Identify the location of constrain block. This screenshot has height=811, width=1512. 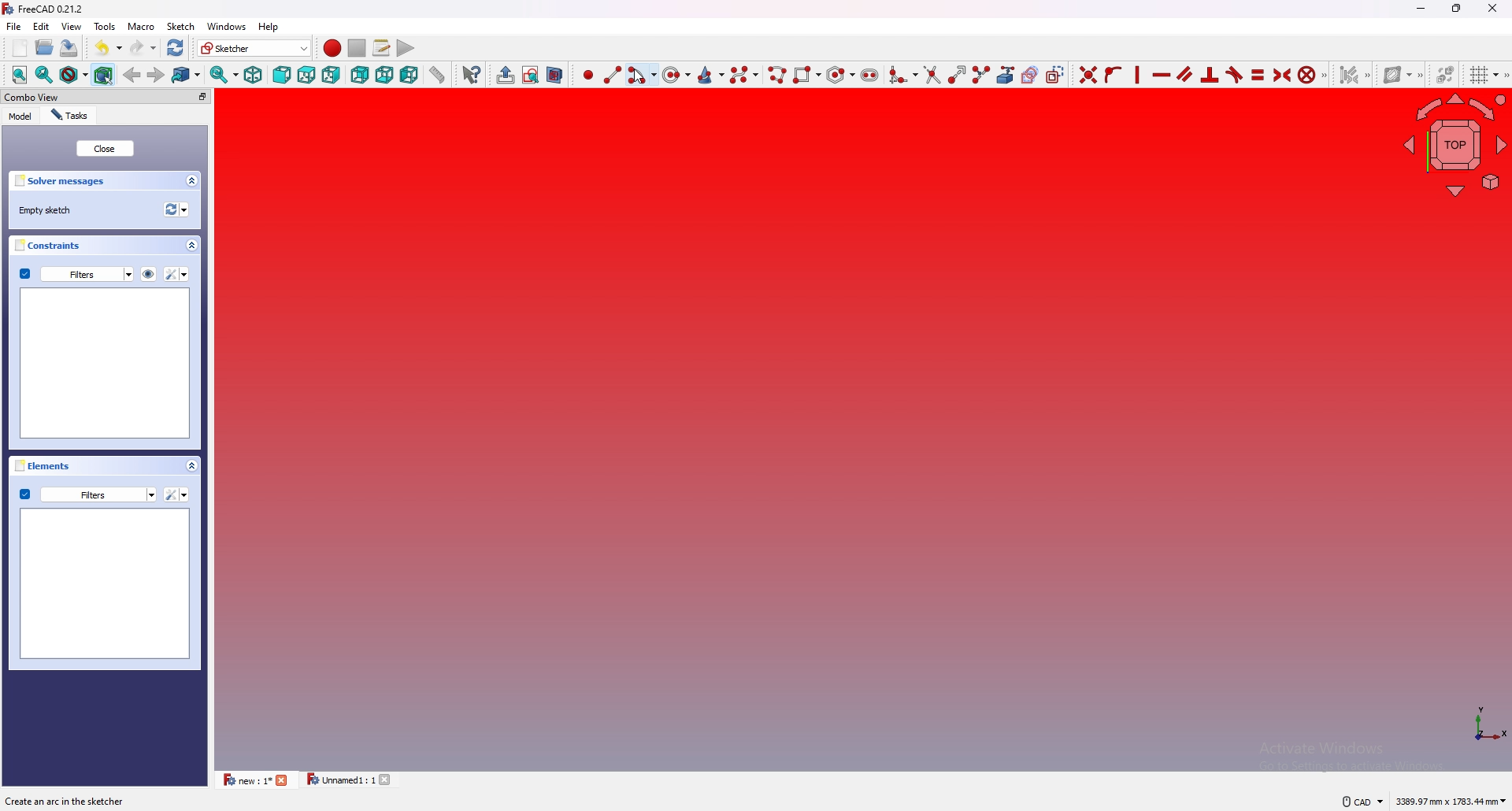
(1314, 74).